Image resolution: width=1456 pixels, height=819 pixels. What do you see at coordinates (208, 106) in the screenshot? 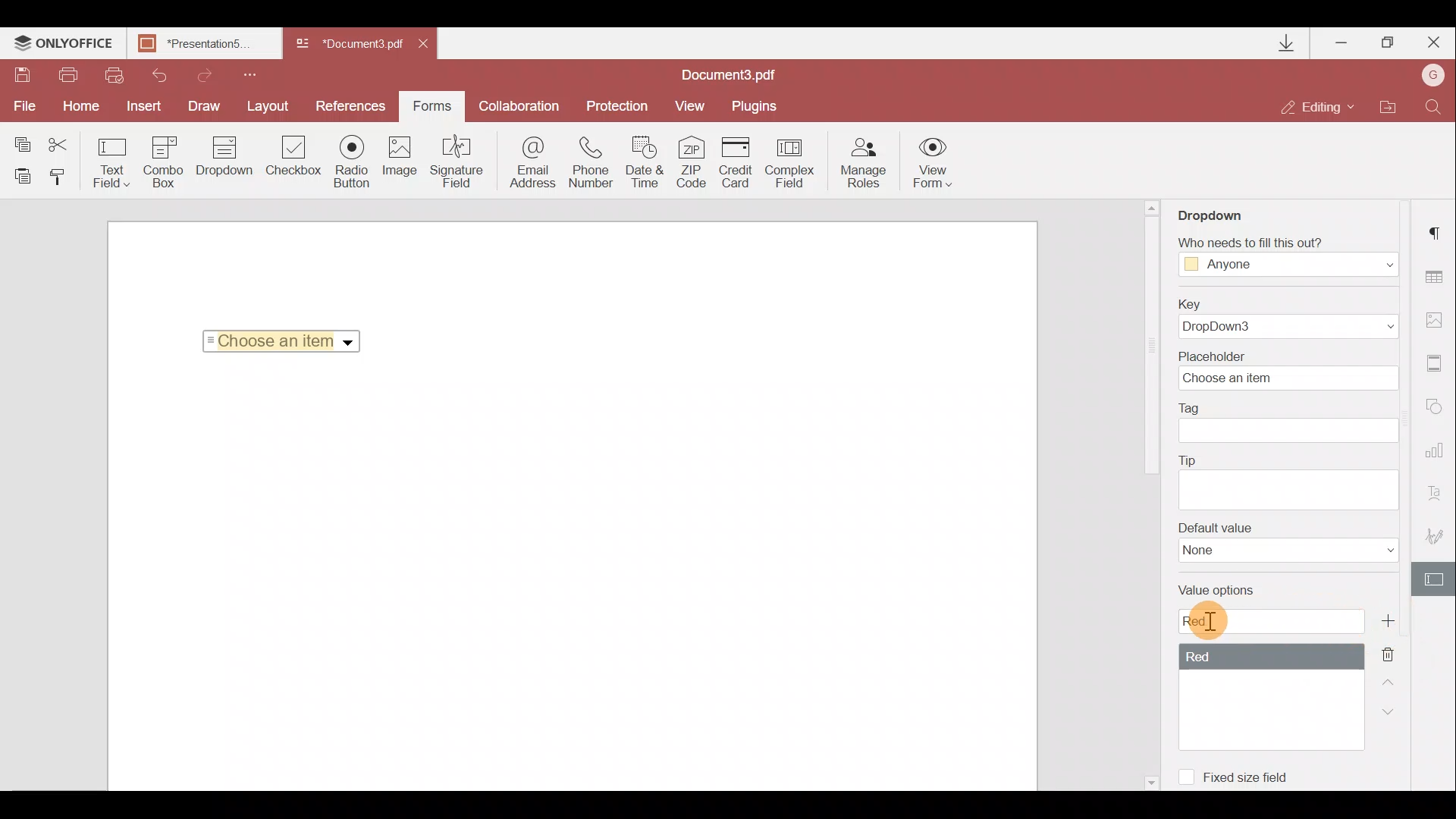
I see `Draw` at bounding box center [208, 106].